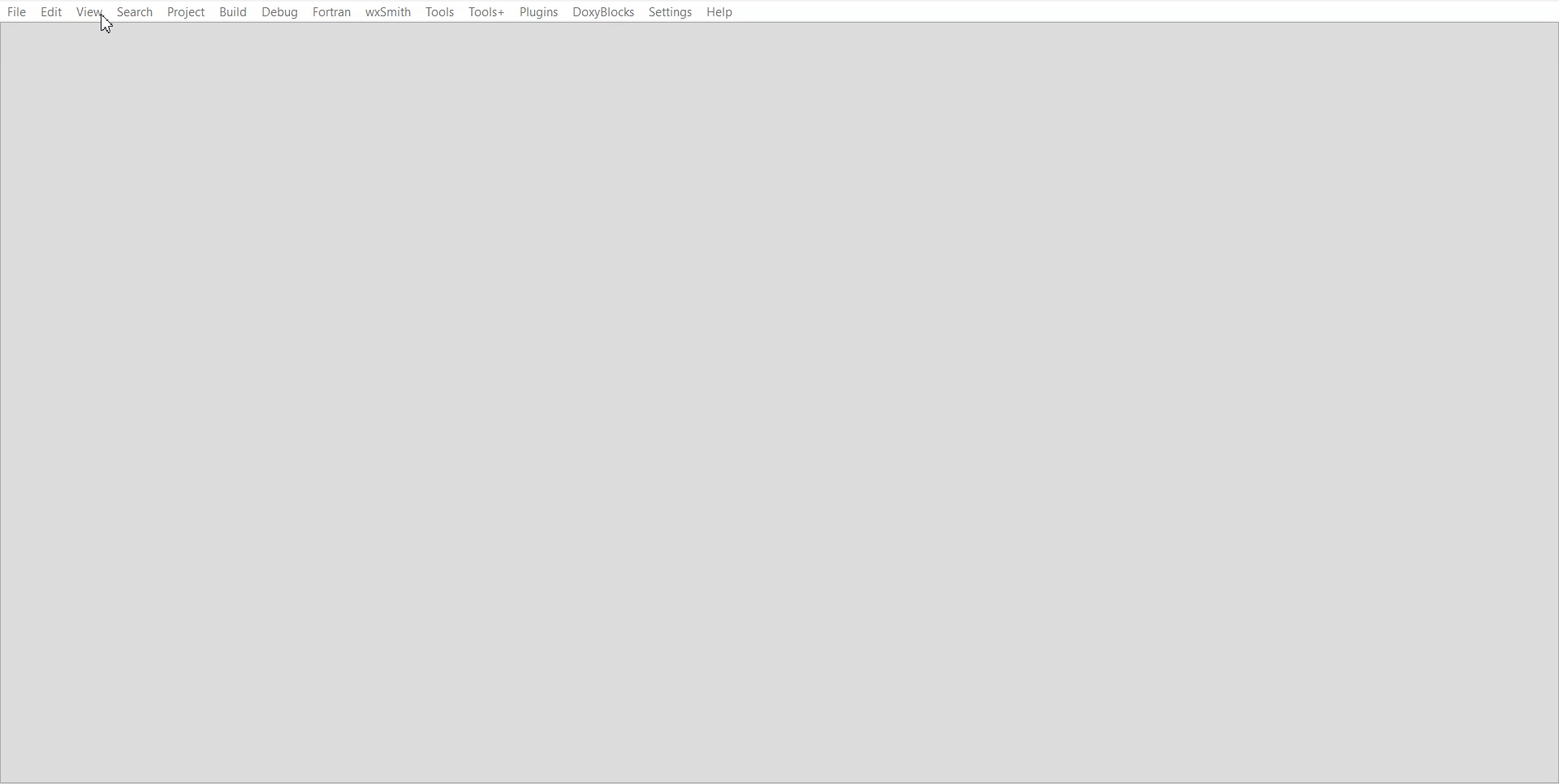 The height and width of the screenshot is (784, 1559). Describe the element at coordinates (486, 12) in the screenshot. I see `Tools+` at that location.